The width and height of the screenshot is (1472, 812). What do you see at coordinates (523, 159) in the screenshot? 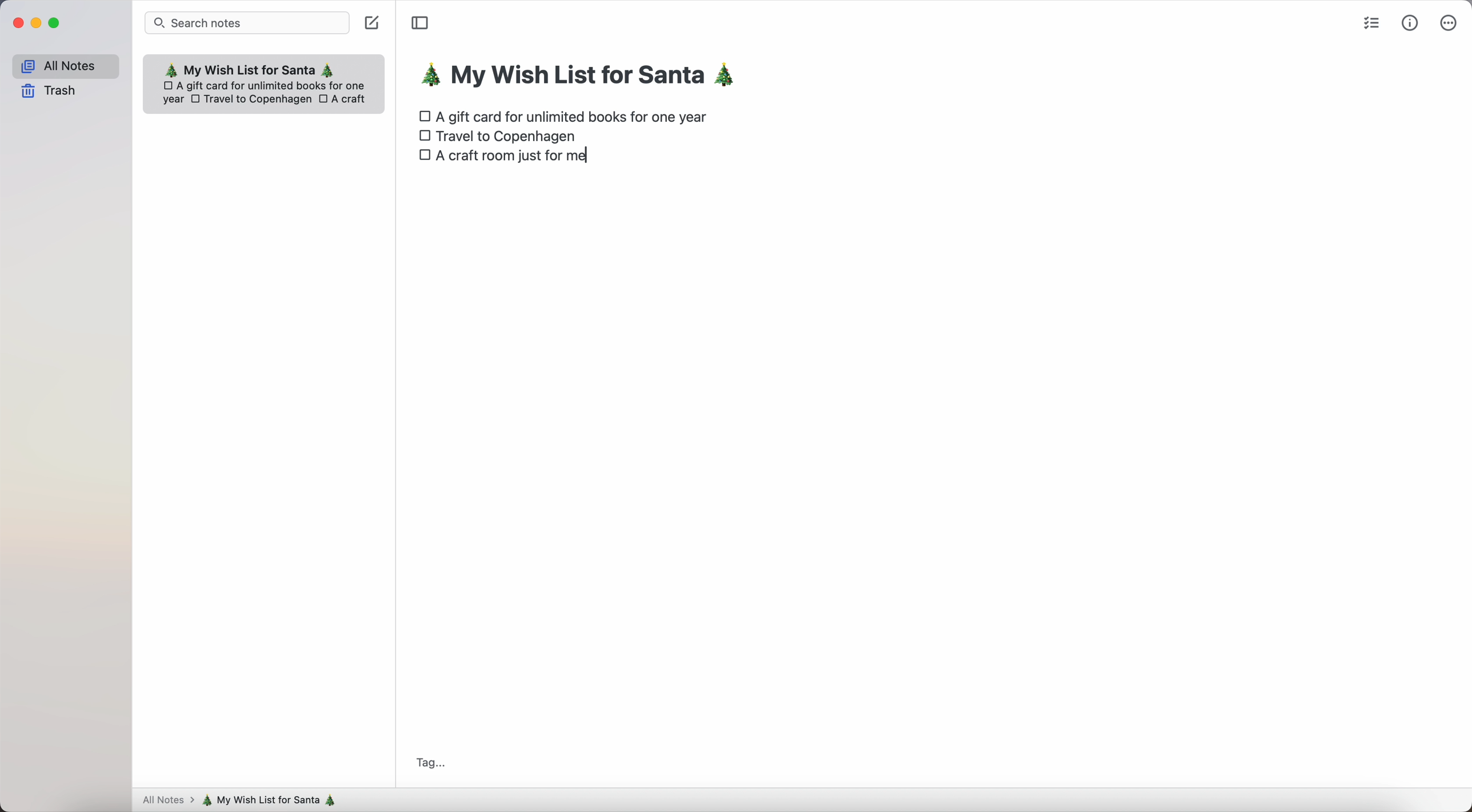
I see `a craft room just for me` at bounding box center [523, 159].